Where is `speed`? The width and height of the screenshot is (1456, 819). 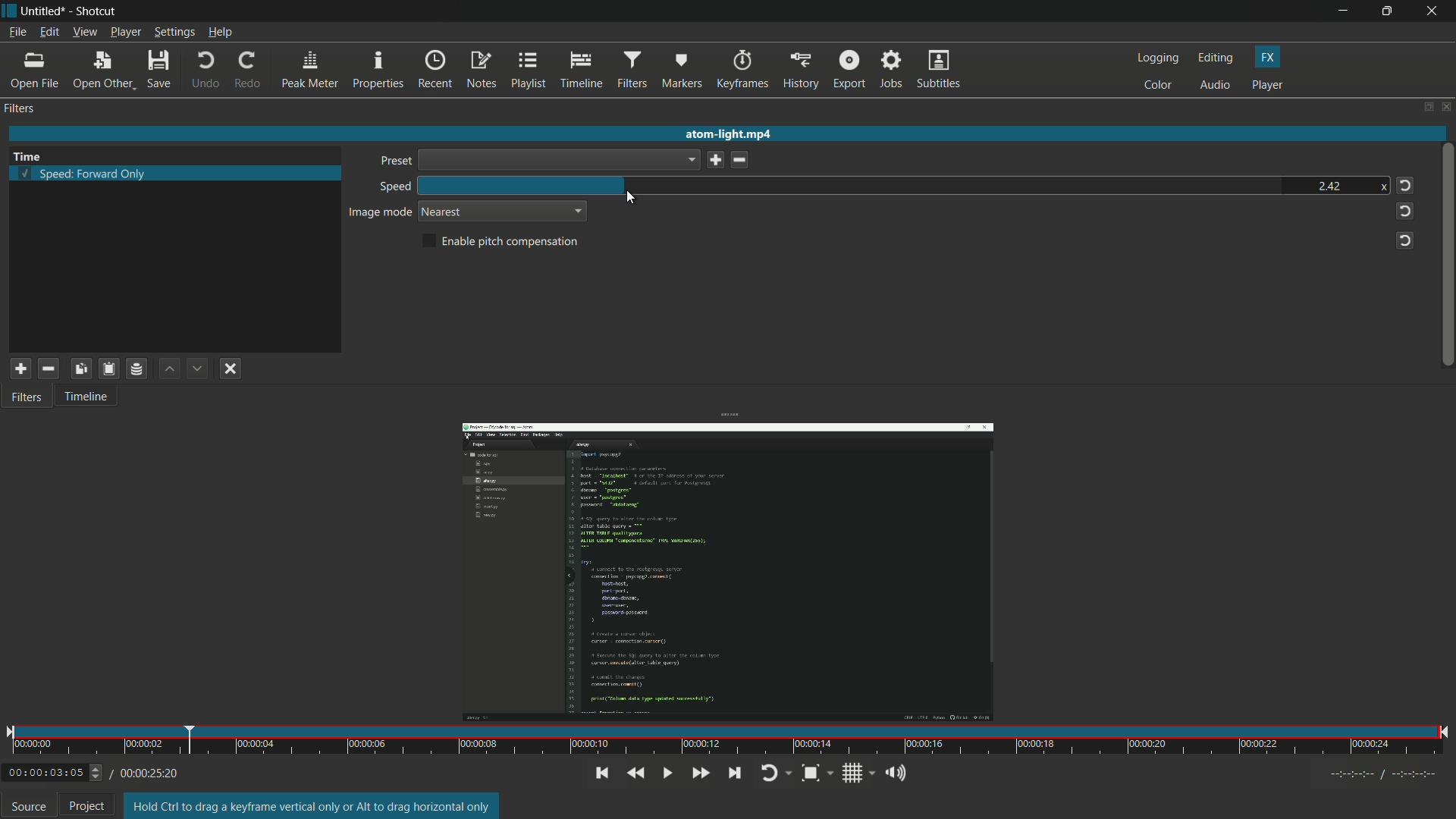
speed is located at coordinates (393, 187).